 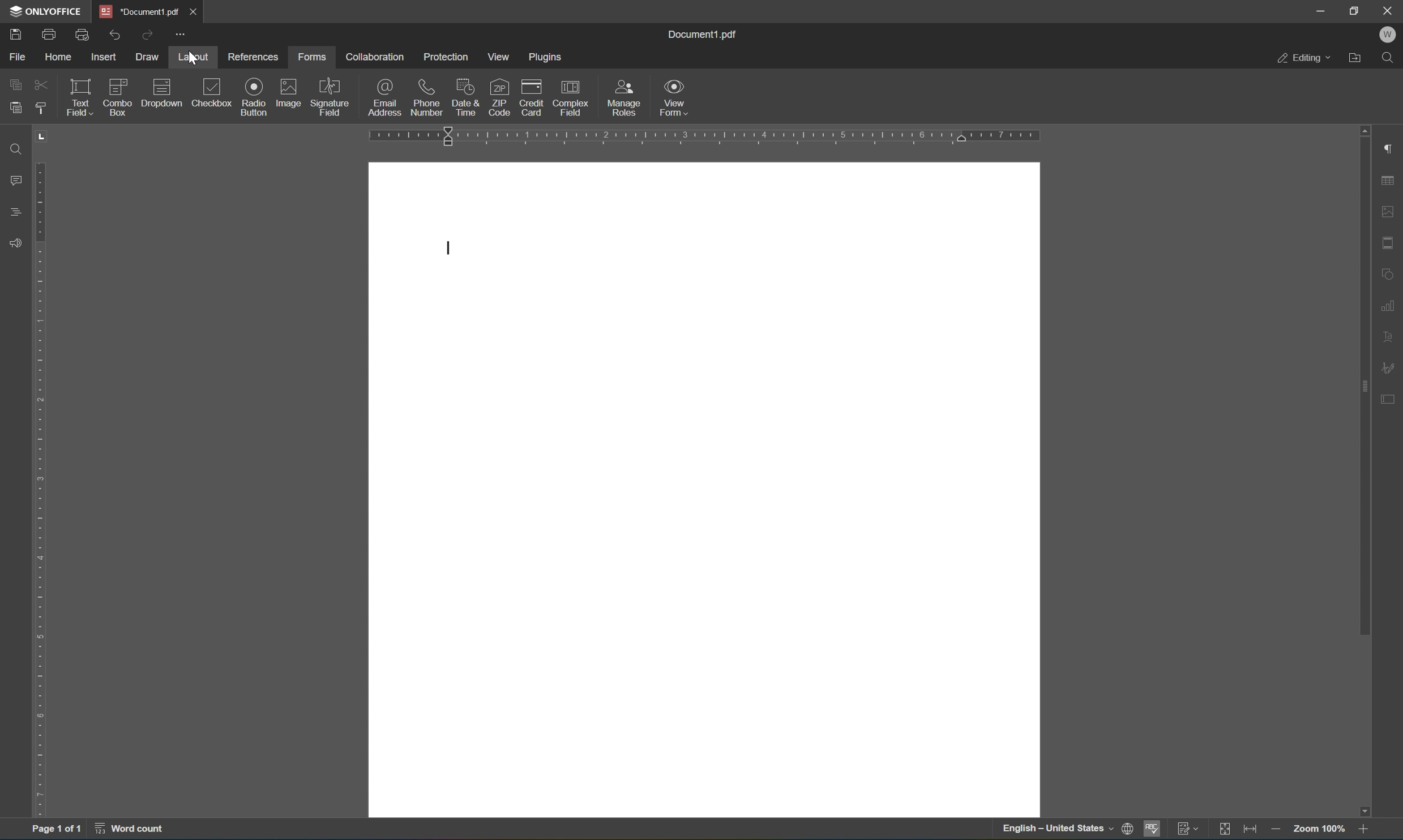 What do you see at coordinates (1356, 9) in the screenshot?
I see `restore down` at bounding box center [1356, 9].